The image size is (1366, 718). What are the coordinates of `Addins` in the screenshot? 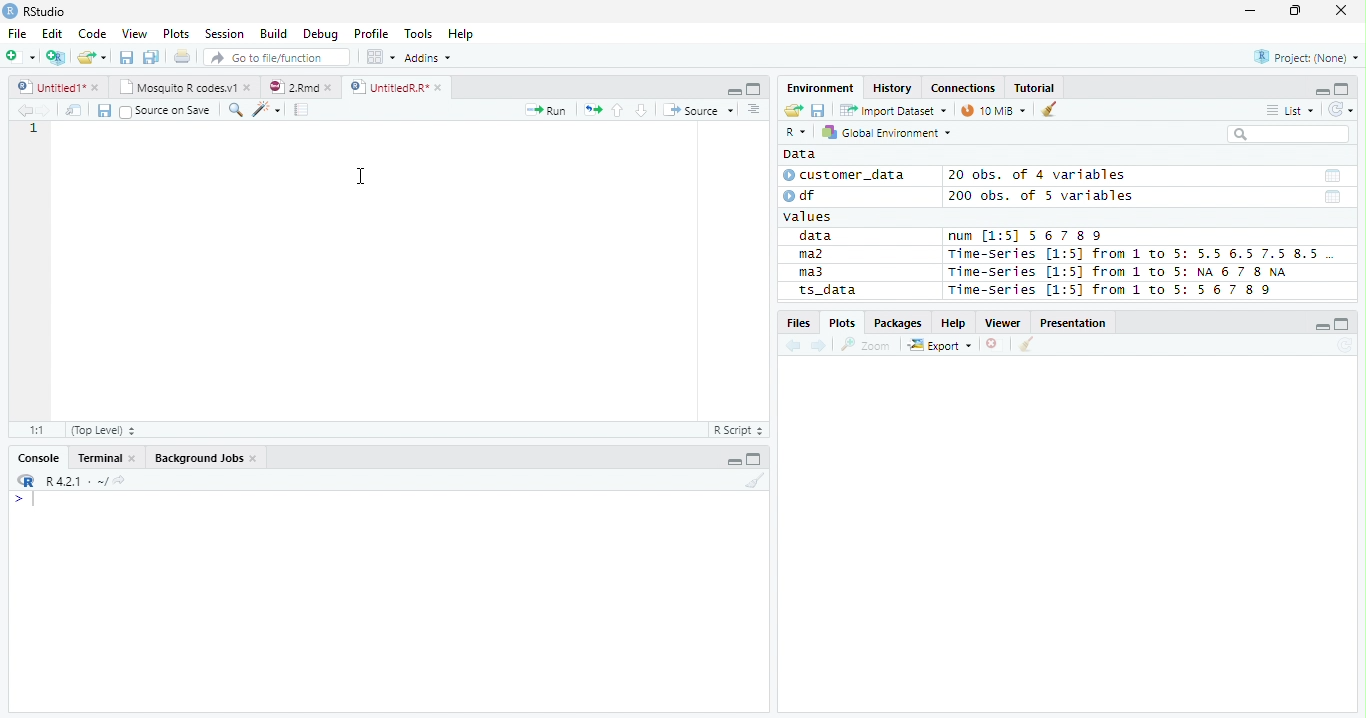 It's located at (430, 57).